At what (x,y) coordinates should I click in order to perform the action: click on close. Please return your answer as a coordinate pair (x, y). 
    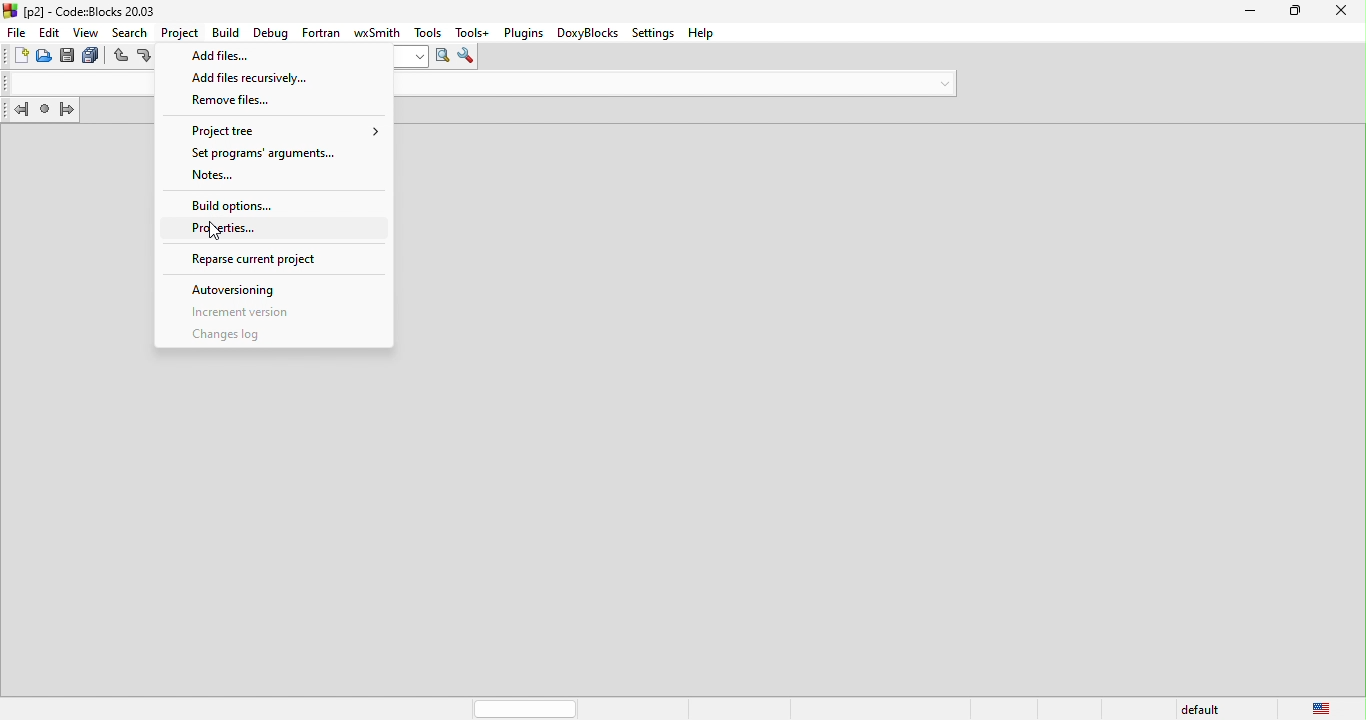
    Looking at the image, I should click on (1343, 13).